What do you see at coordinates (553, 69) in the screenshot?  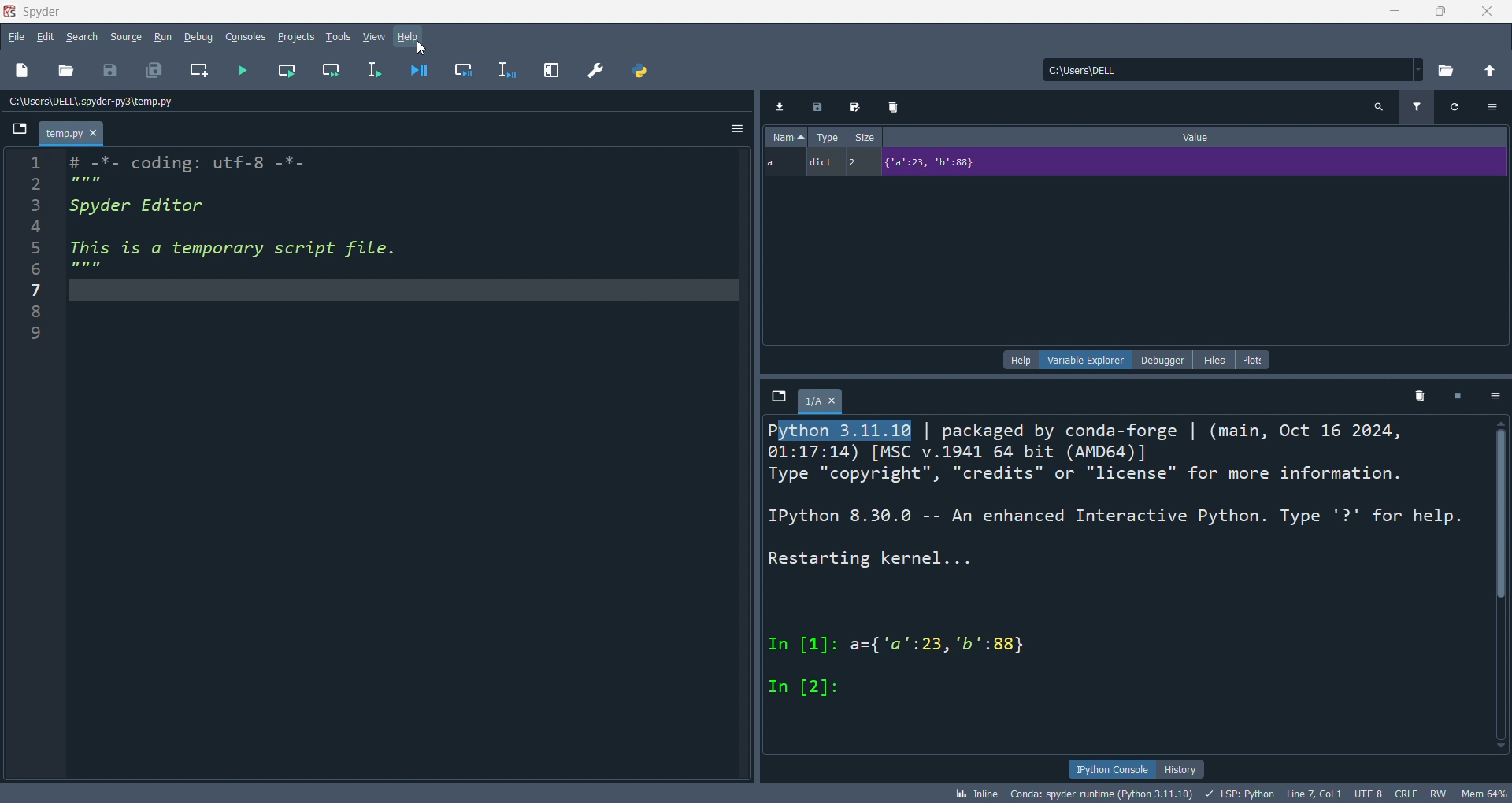 I see `expand pane` at bounding box center [553, 69].